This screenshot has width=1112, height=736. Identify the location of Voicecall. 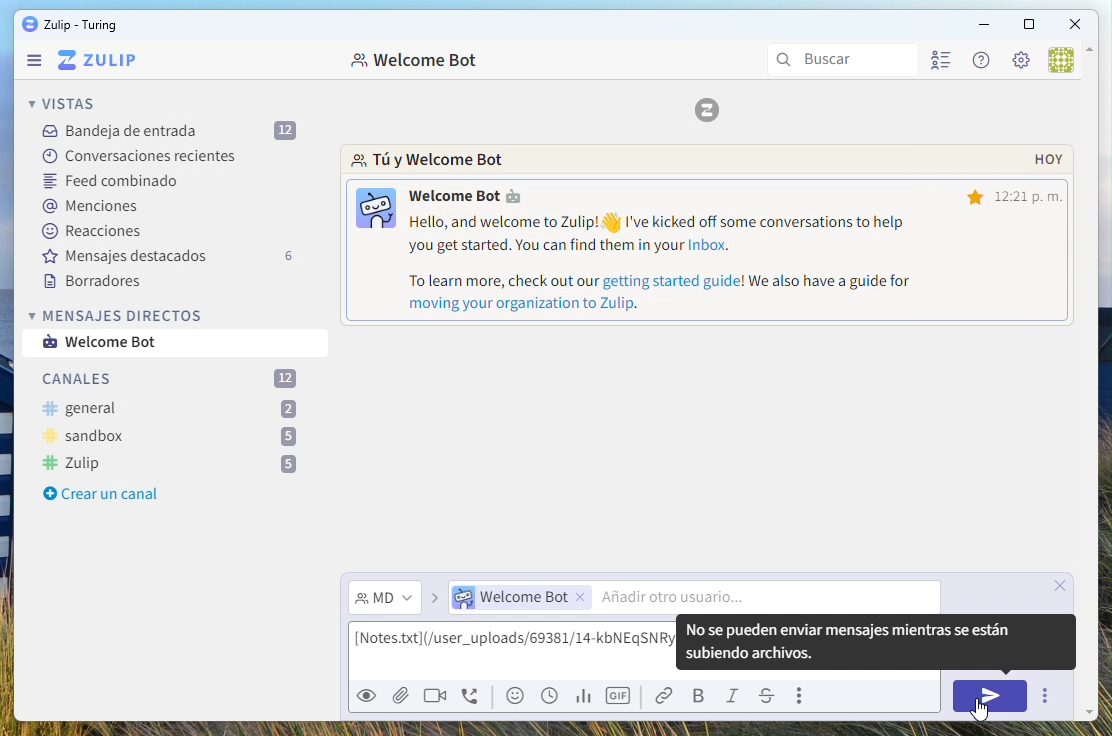
(472, 698).